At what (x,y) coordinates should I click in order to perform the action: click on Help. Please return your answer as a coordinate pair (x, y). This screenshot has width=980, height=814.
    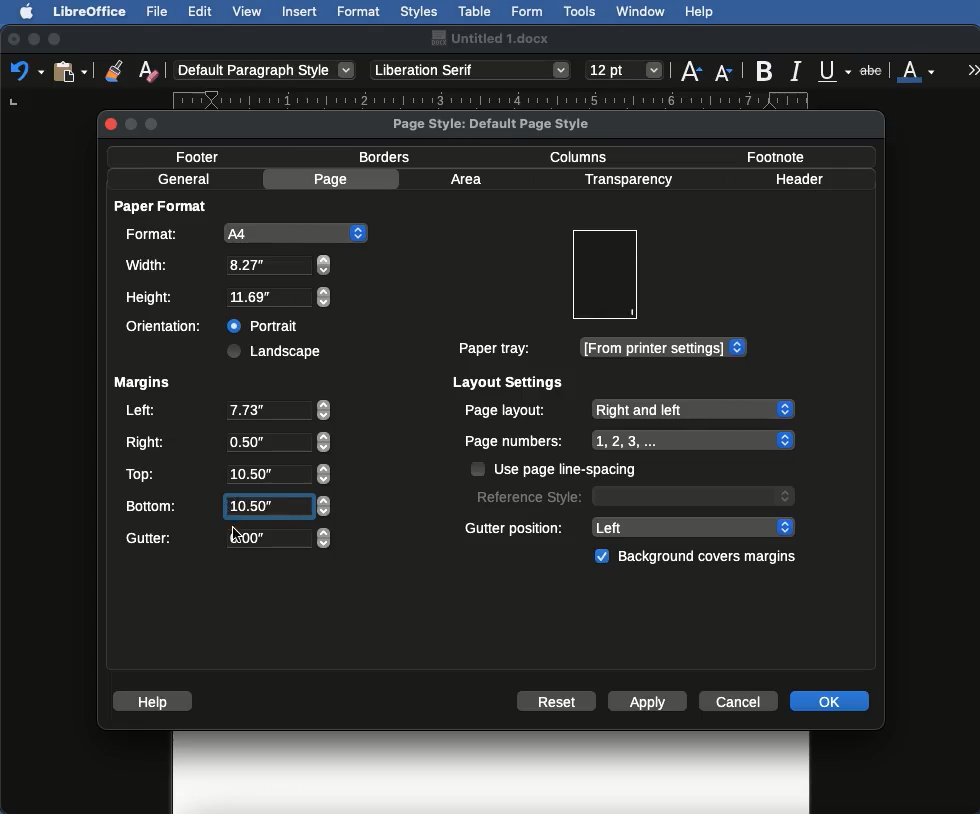
    Looking at the image, I should click on (156, 701).